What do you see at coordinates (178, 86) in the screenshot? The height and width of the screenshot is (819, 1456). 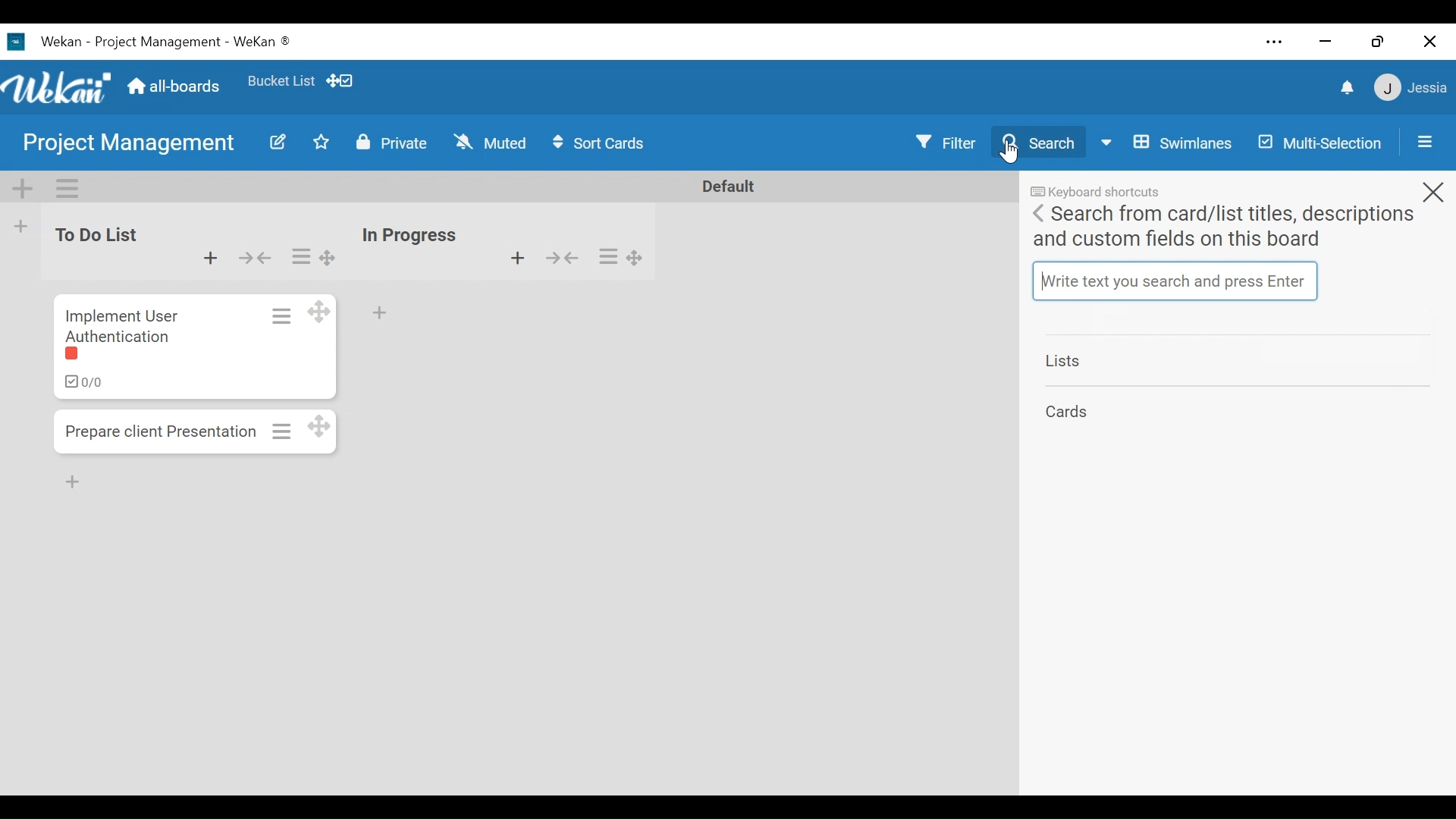 I see `Home (all boards)` at bounding box center [178, 86].